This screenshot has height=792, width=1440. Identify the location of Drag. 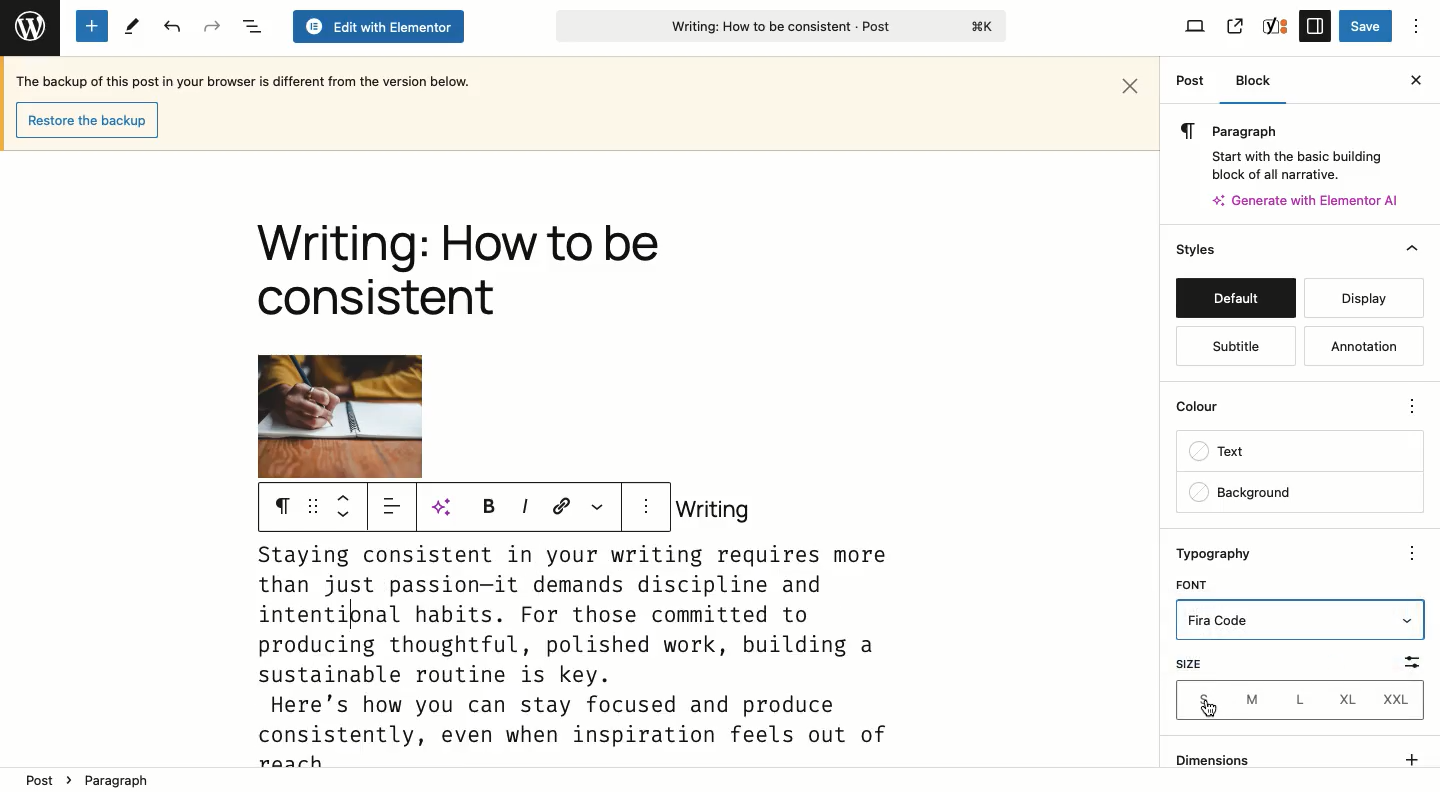
(313, 507).